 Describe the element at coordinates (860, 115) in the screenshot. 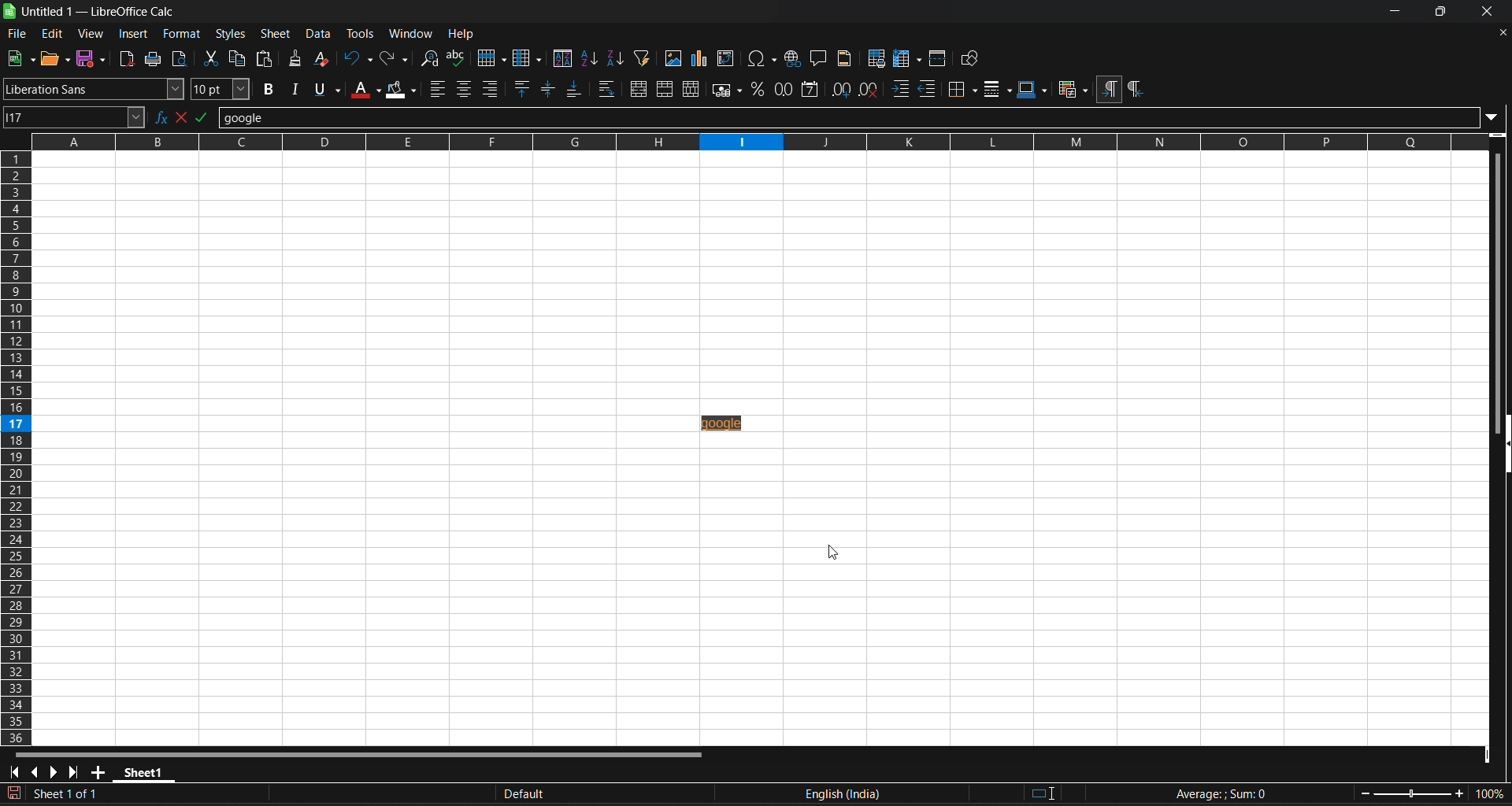

I see `input line` at that location.